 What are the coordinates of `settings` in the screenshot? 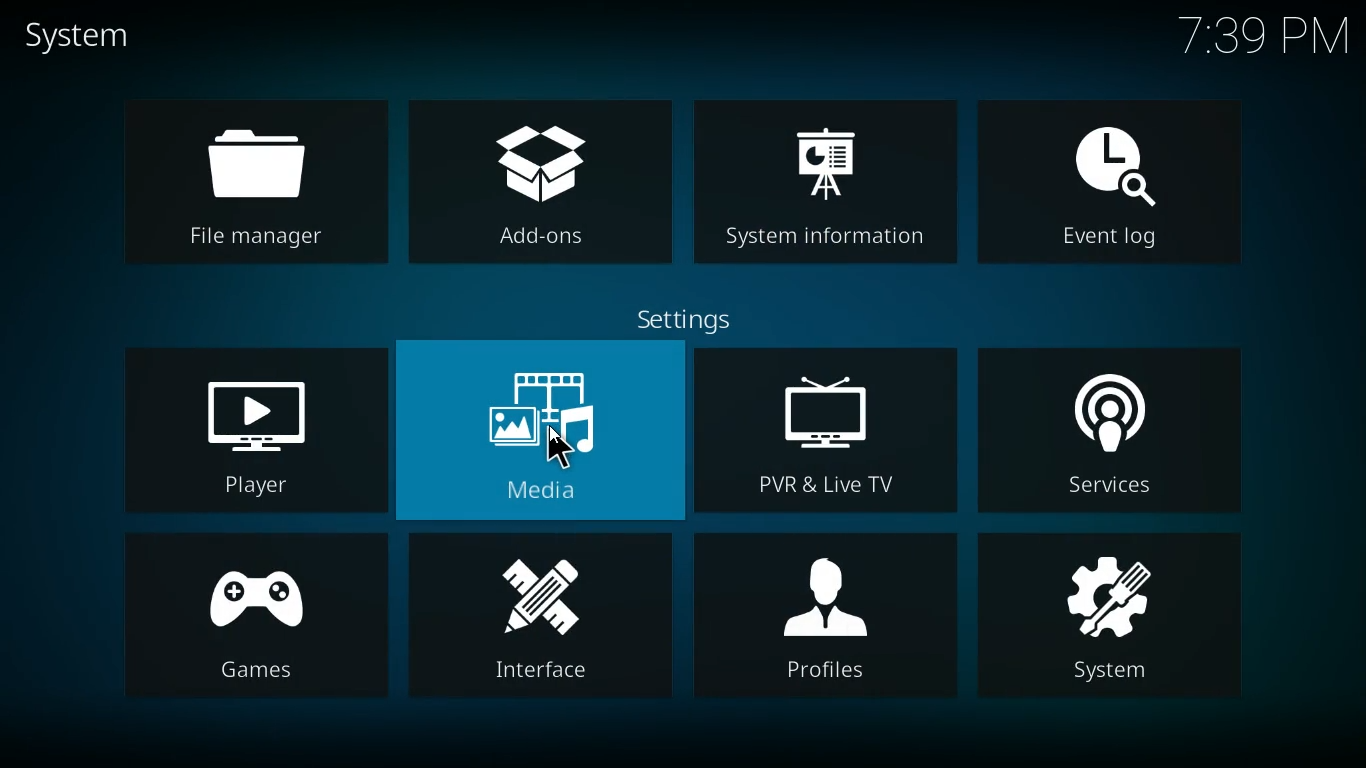 It's located at (696, 317).